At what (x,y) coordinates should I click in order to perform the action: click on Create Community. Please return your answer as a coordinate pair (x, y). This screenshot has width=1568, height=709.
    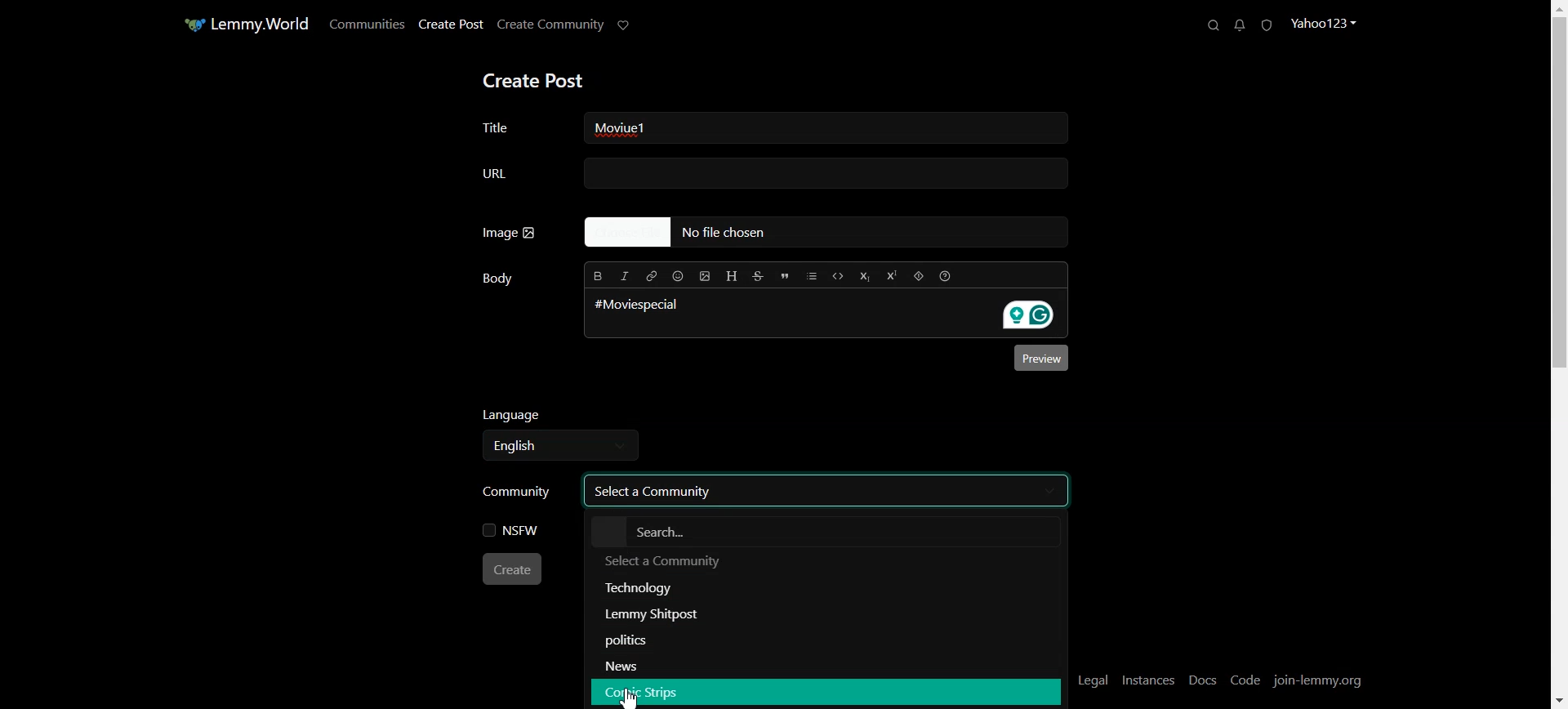
    Looking at the image, I should click on (552, 24).